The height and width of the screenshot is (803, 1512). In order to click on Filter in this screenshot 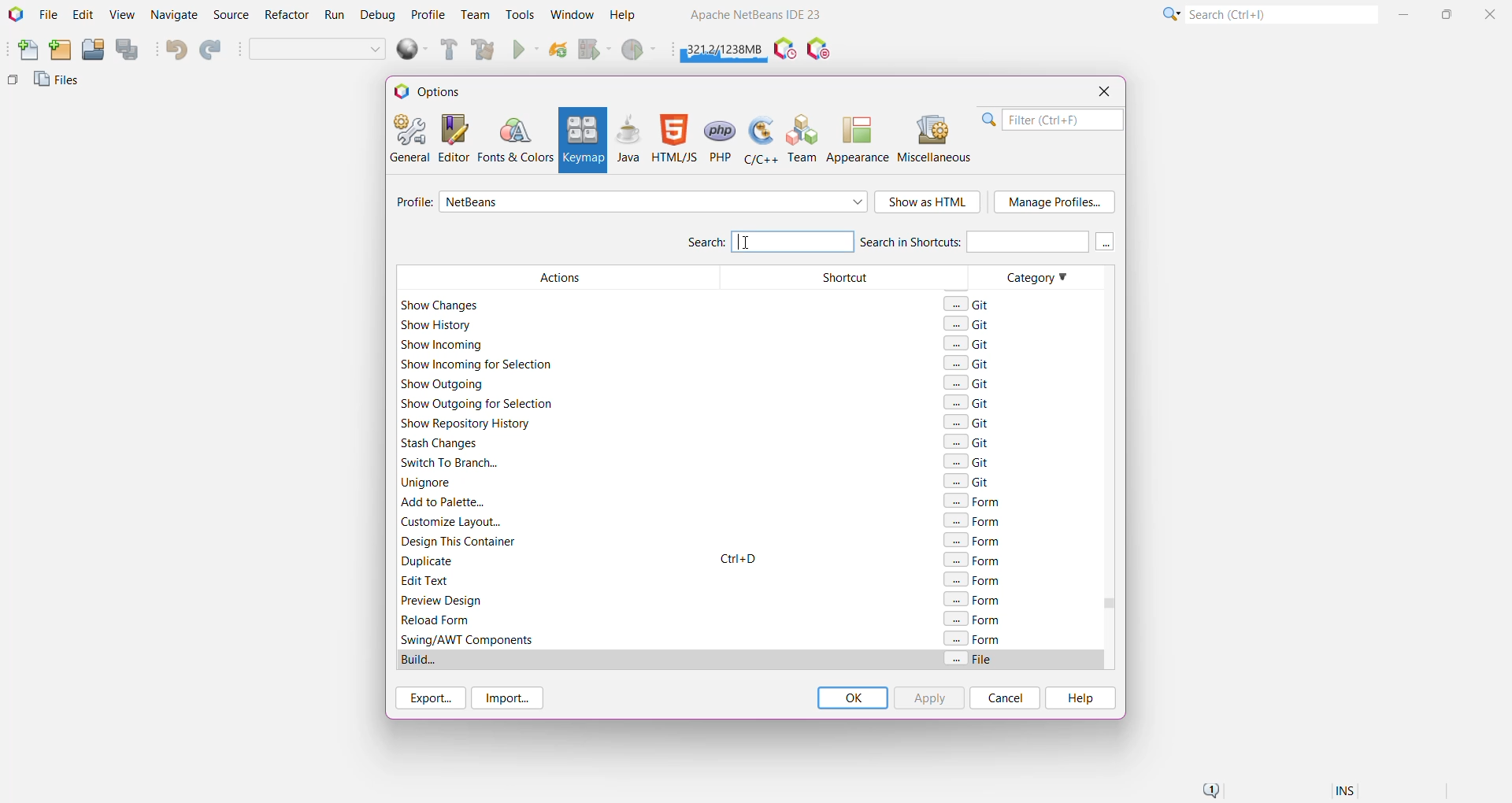, I will do `click(1052, 120)`.